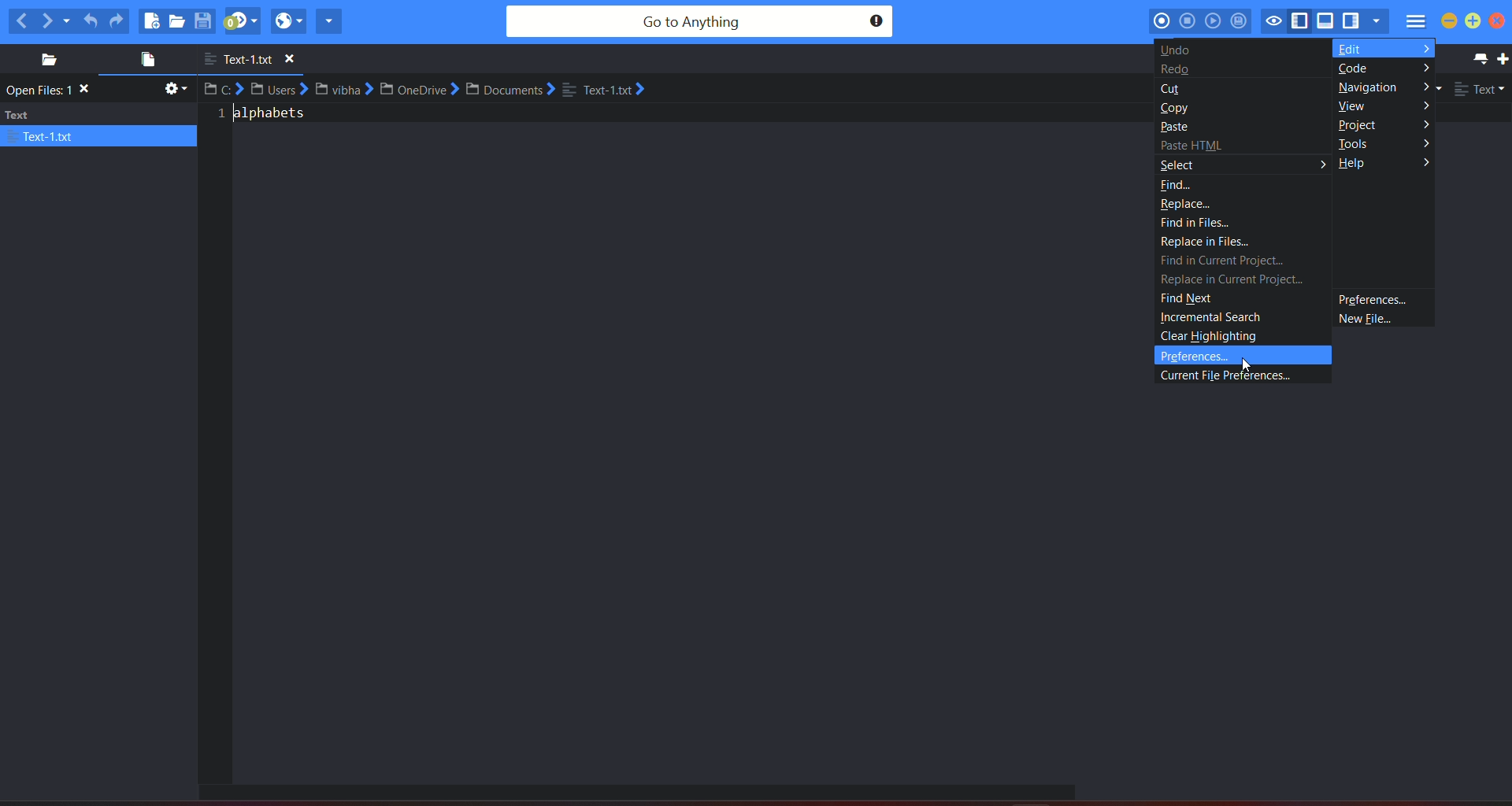 The image size is (1512, 806). Describe the element at coordinates (1183, 50) in the screenshot. I see `undo` at that location.